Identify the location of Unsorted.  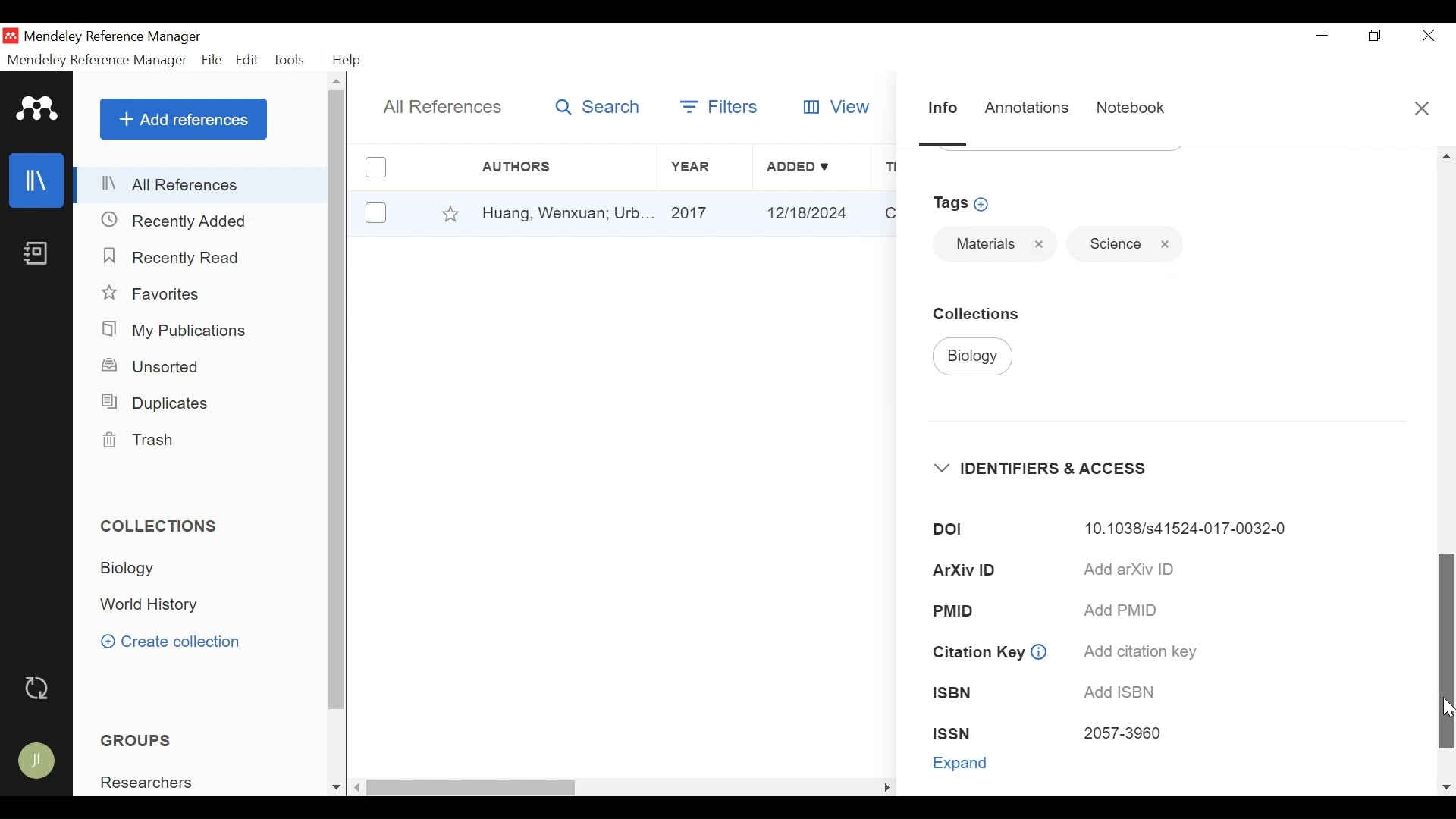
(152, 366).